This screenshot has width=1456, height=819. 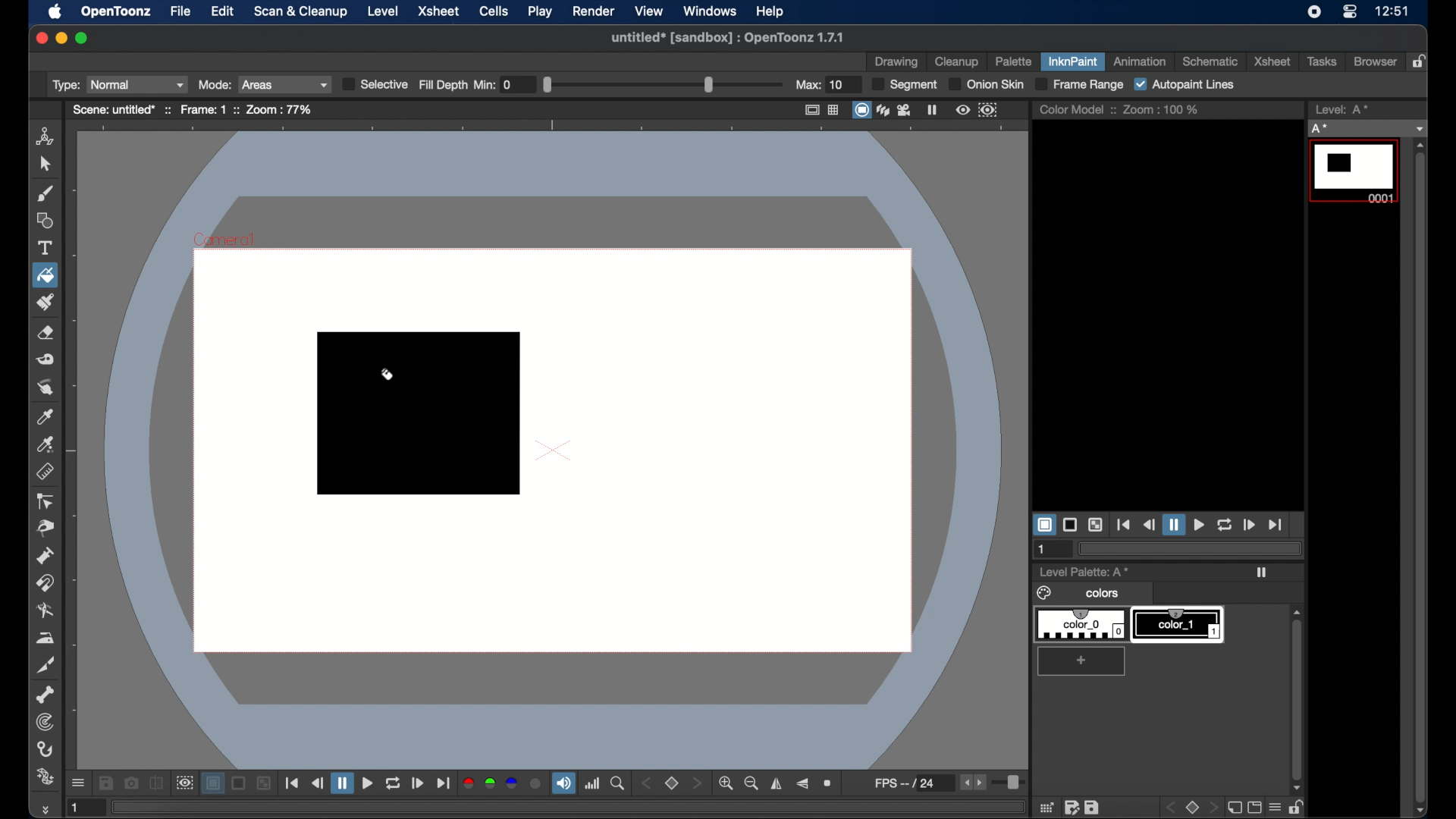 I want to click on cutter tool, so click(x=45, y=665).